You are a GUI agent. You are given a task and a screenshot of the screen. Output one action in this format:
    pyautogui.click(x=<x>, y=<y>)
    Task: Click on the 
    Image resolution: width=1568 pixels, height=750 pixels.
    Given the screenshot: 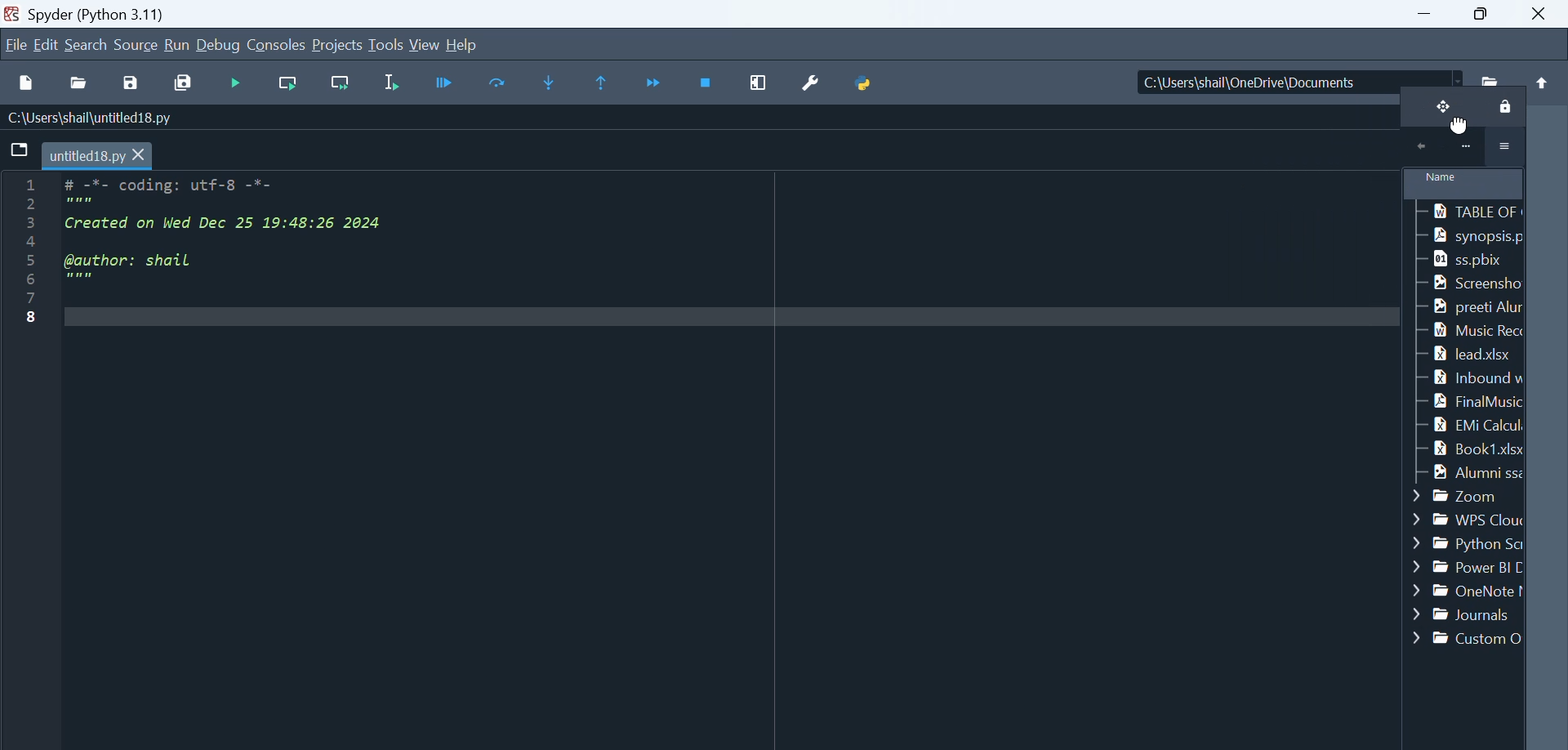 What is the action you would take?
    pyautogui.click(x=177, y=46)
    